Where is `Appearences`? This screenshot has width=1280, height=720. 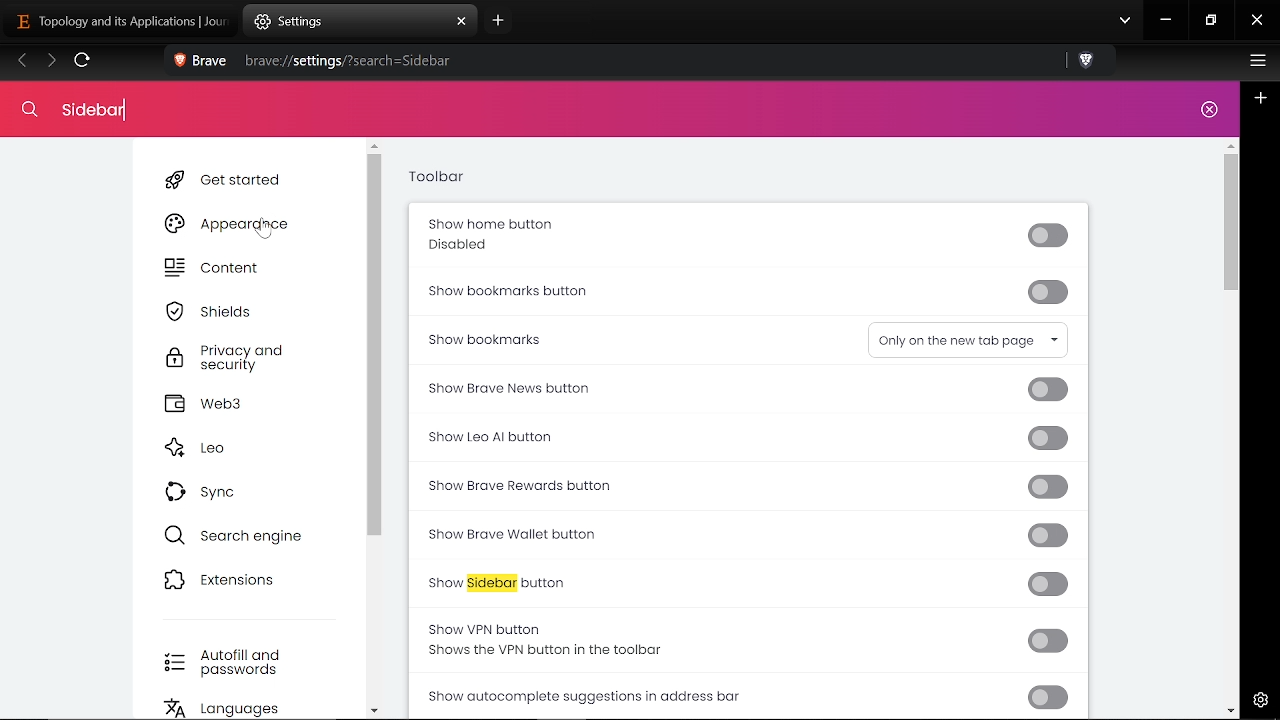
Appearences is located at coordinates (231, 223).